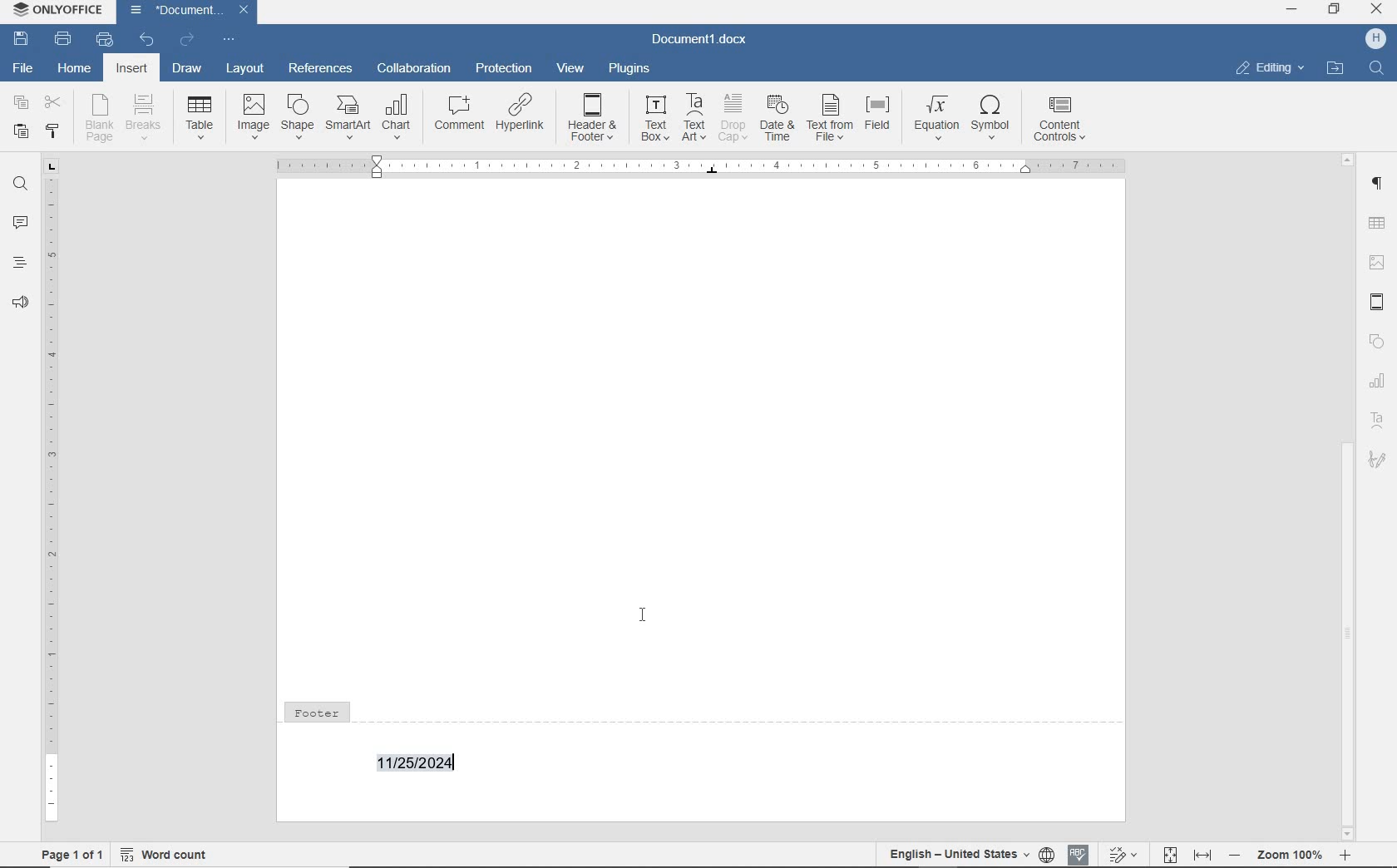 This screenshot has height=868, width=1397. I want to click on track changes, so click(1121, 856).